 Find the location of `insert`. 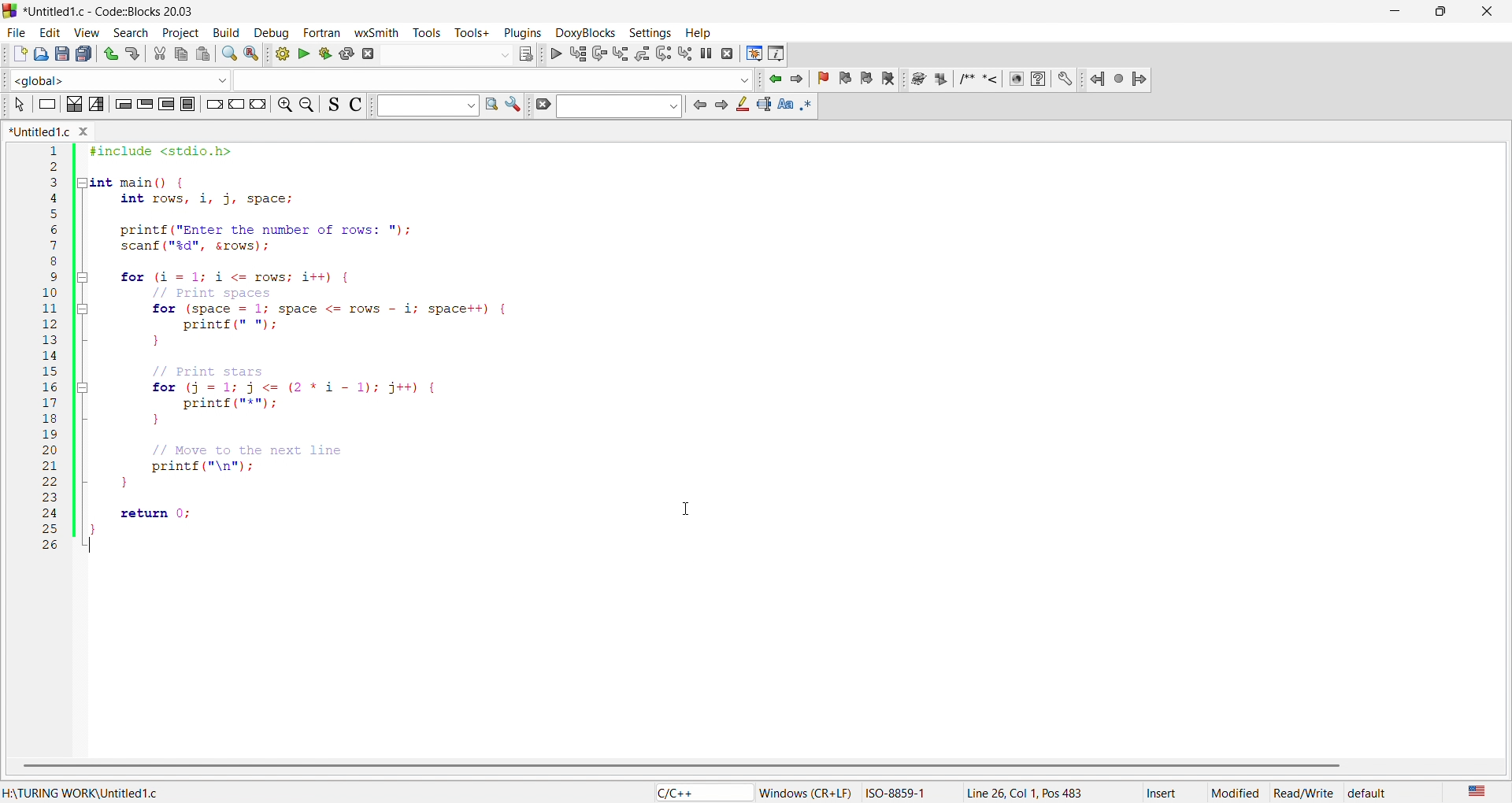

insert is located at coordinates (1167, 791).